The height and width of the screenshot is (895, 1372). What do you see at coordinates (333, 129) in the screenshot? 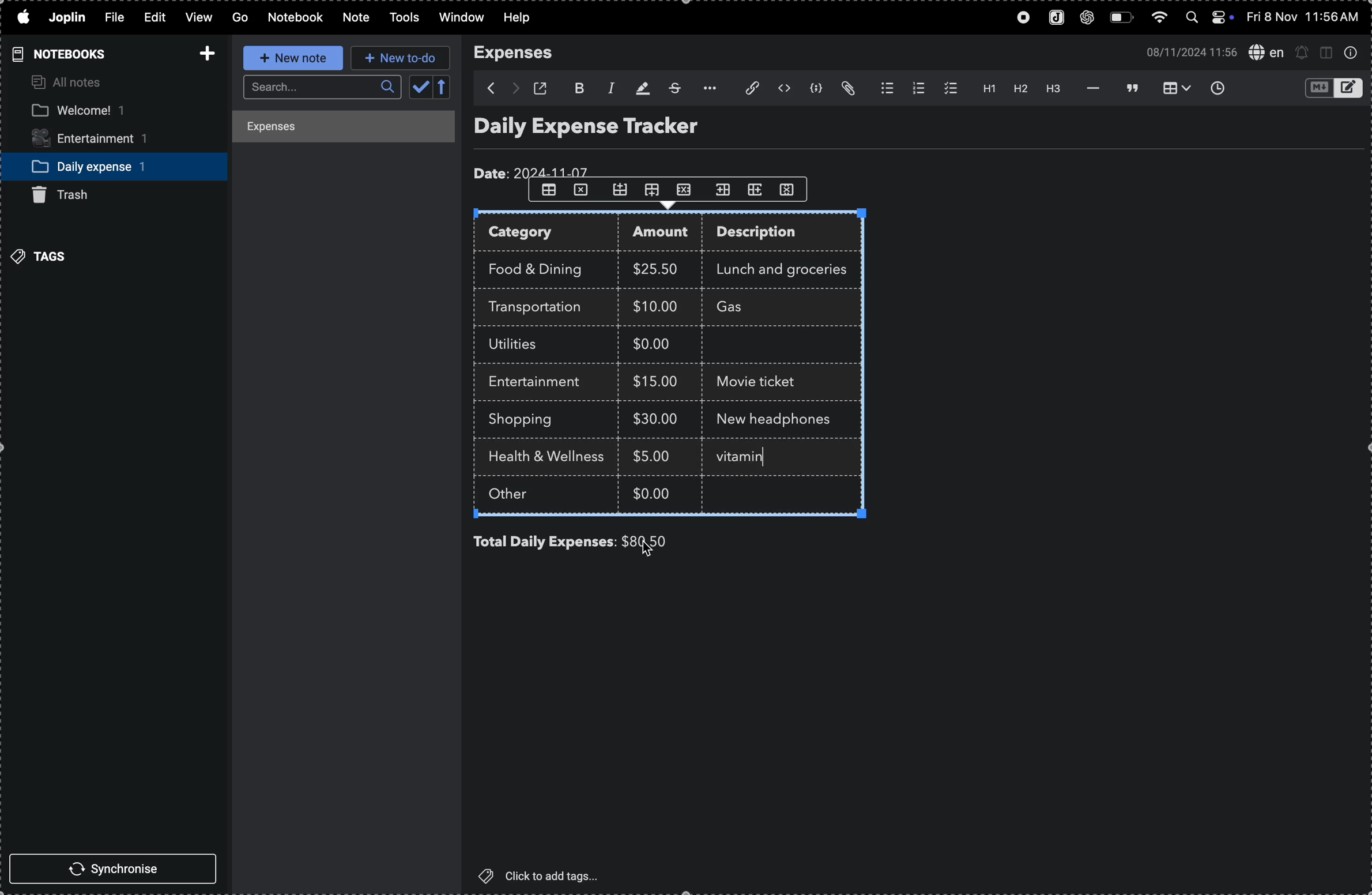
I see `expenses` at bounding box center [333, 129].